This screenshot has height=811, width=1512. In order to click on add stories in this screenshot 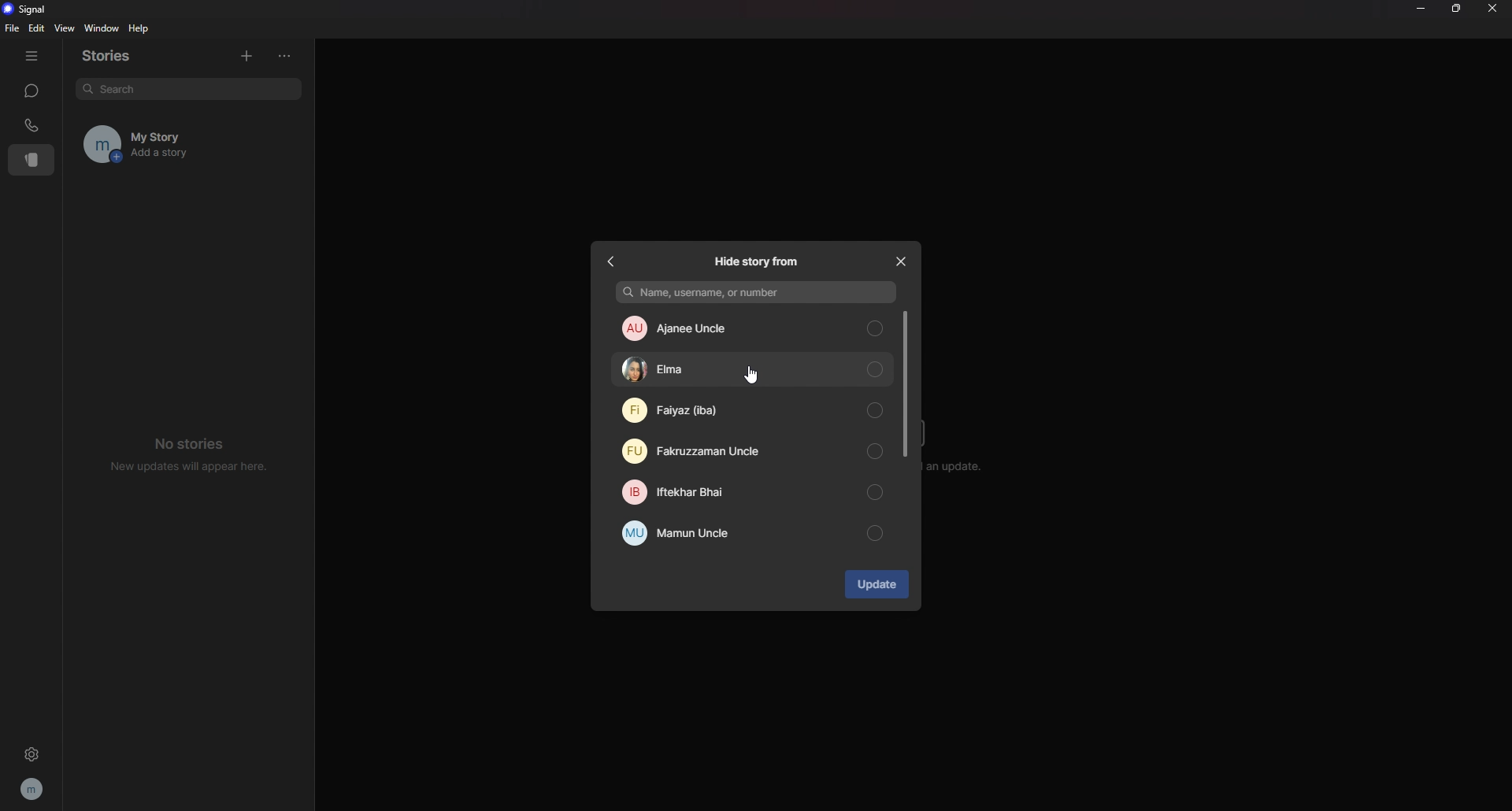, I will do `click(246, 54)`.